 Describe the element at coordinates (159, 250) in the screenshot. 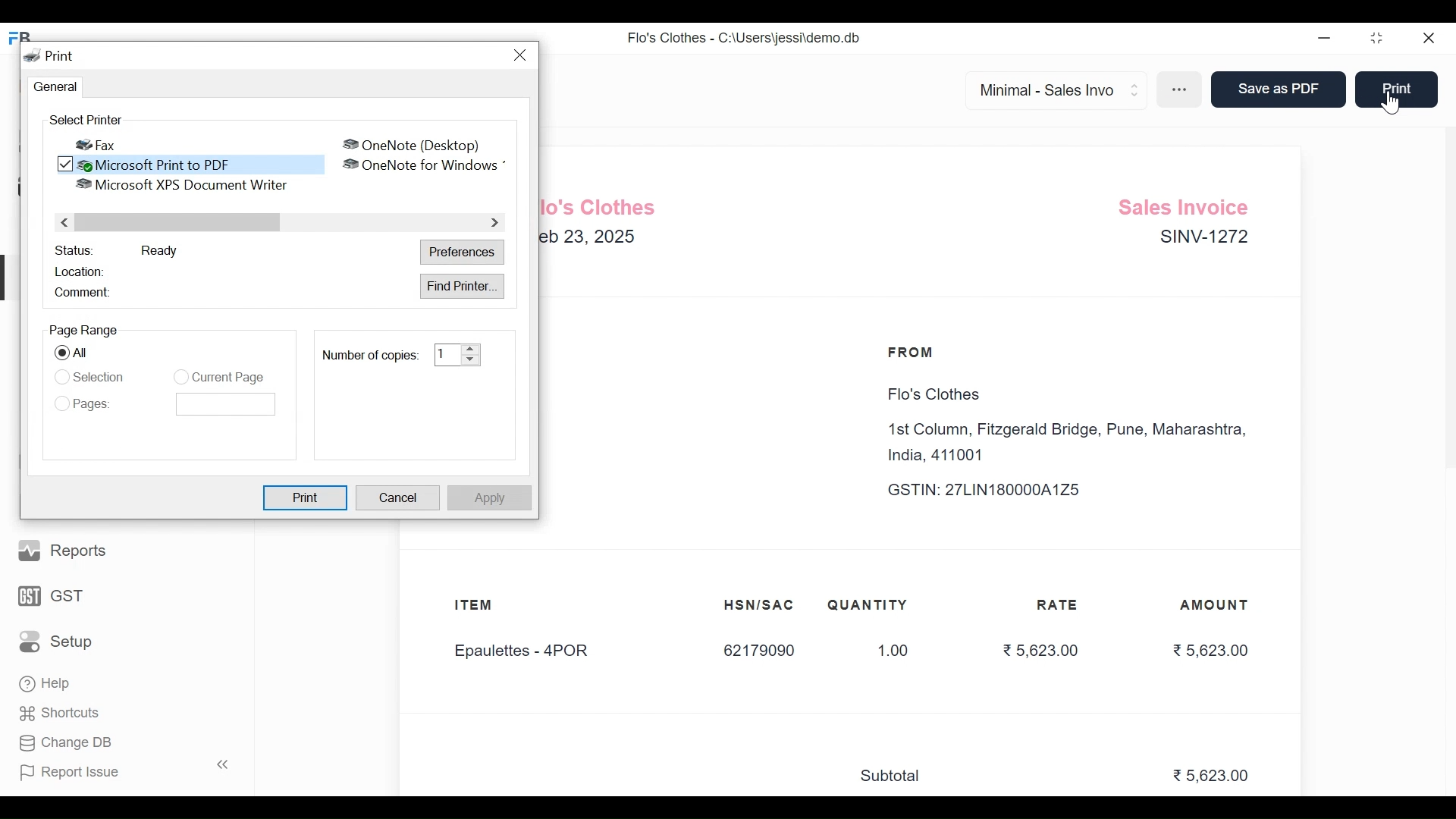

I see `Ready` at that location.